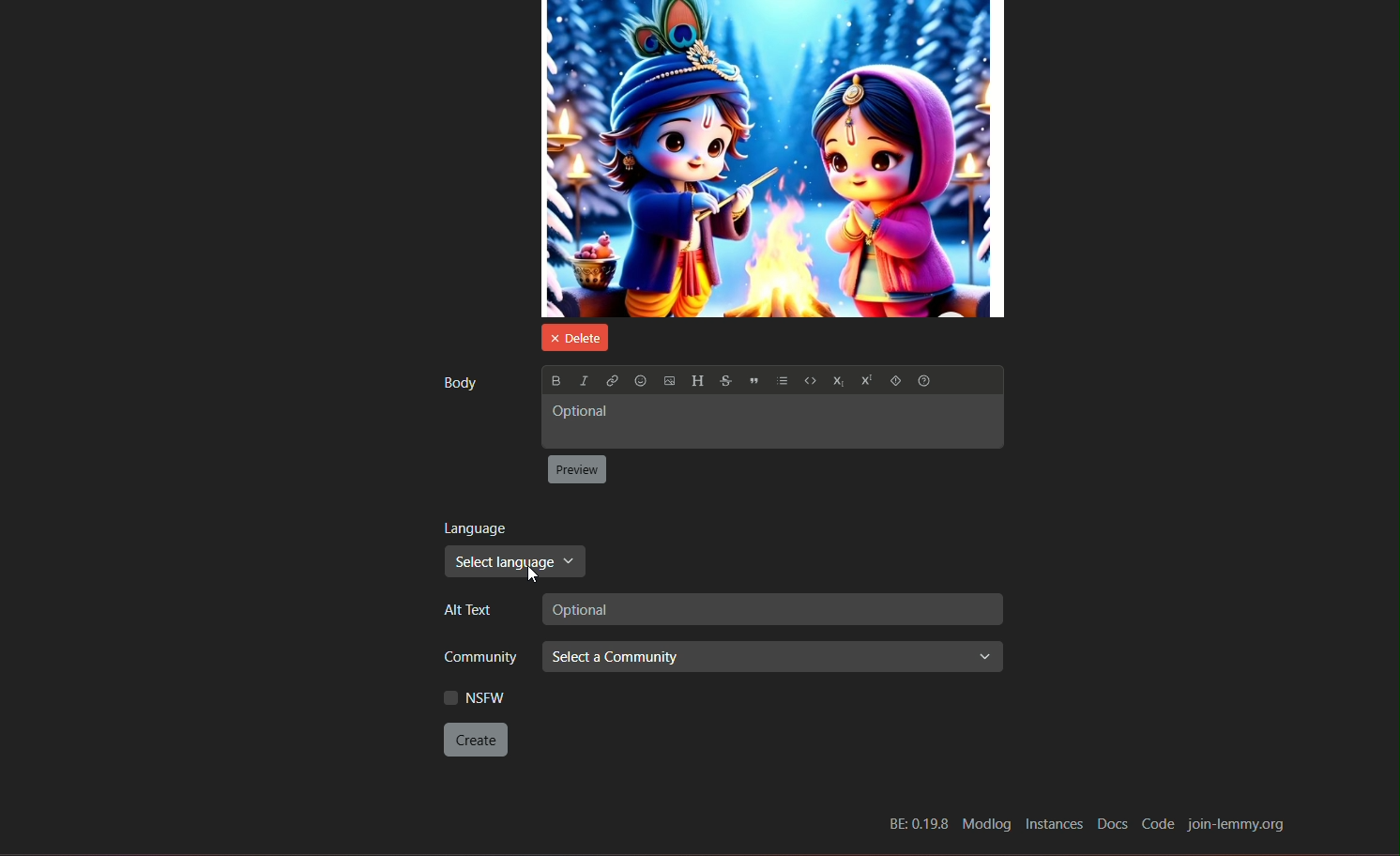  I want to click on Preview, so click(577, 470).